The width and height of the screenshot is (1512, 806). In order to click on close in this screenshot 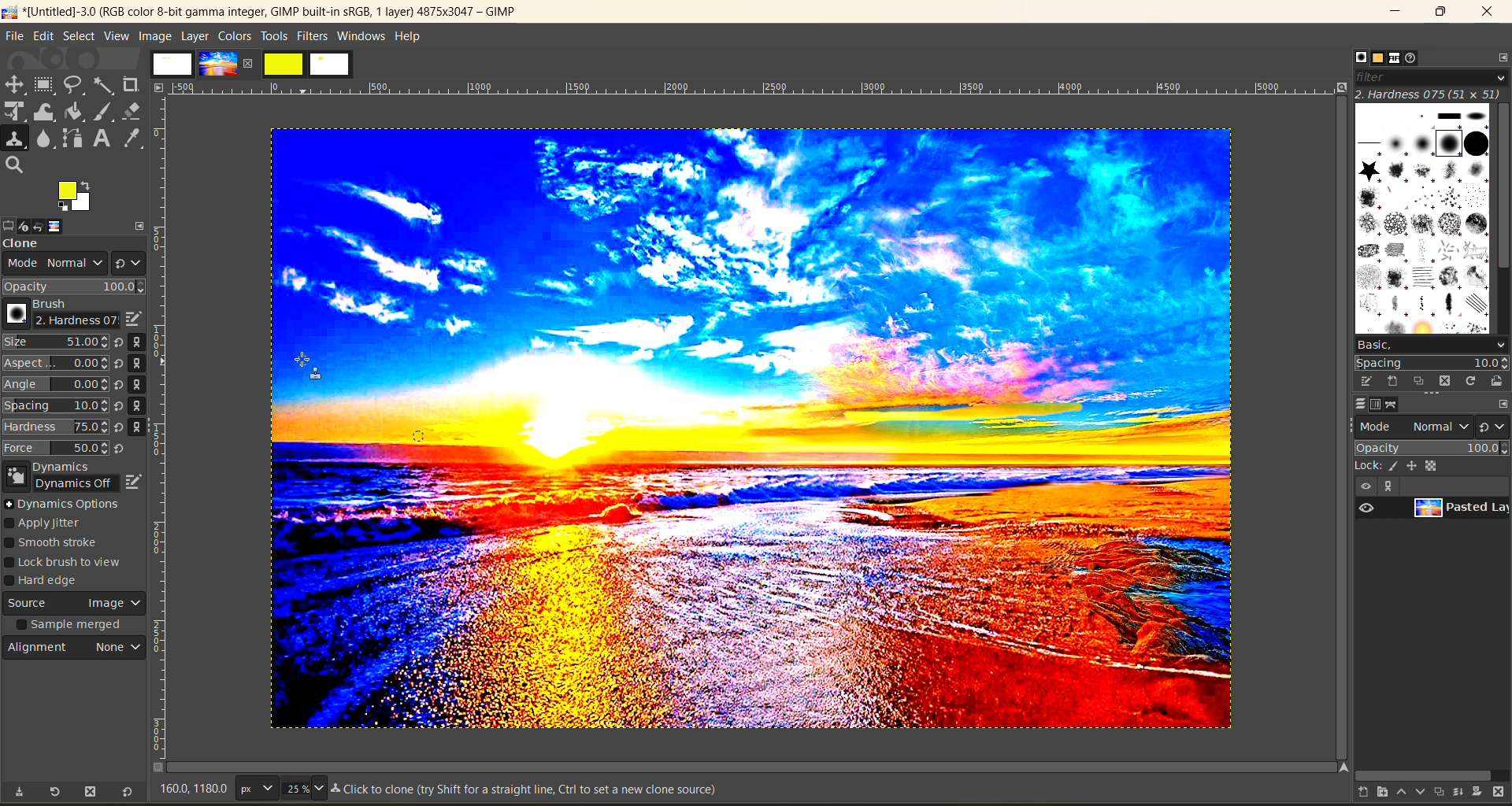, I will do `click(1487, 14)`.